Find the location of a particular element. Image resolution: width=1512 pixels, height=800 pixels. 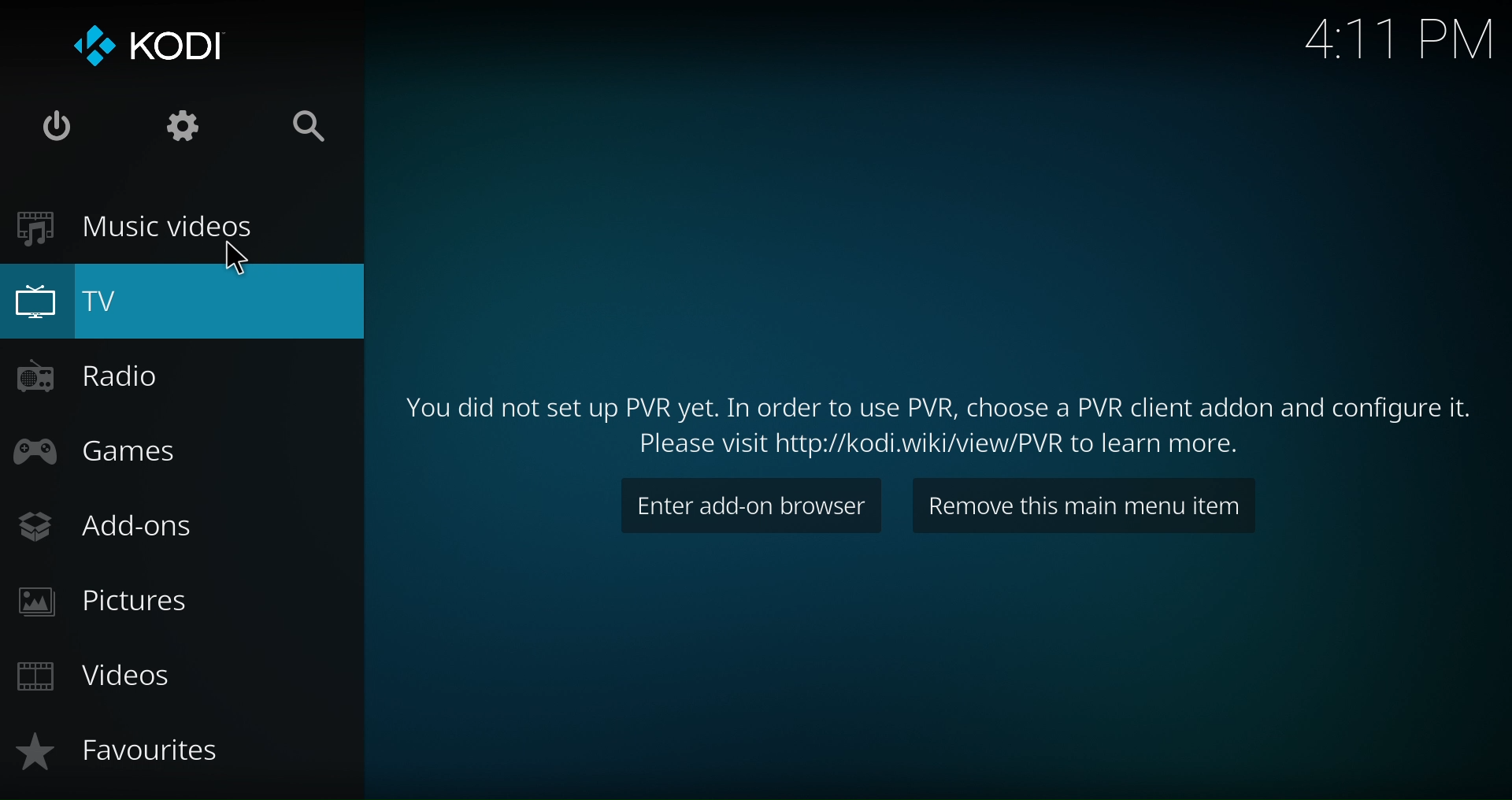

System is located at coordinates (187, 126).